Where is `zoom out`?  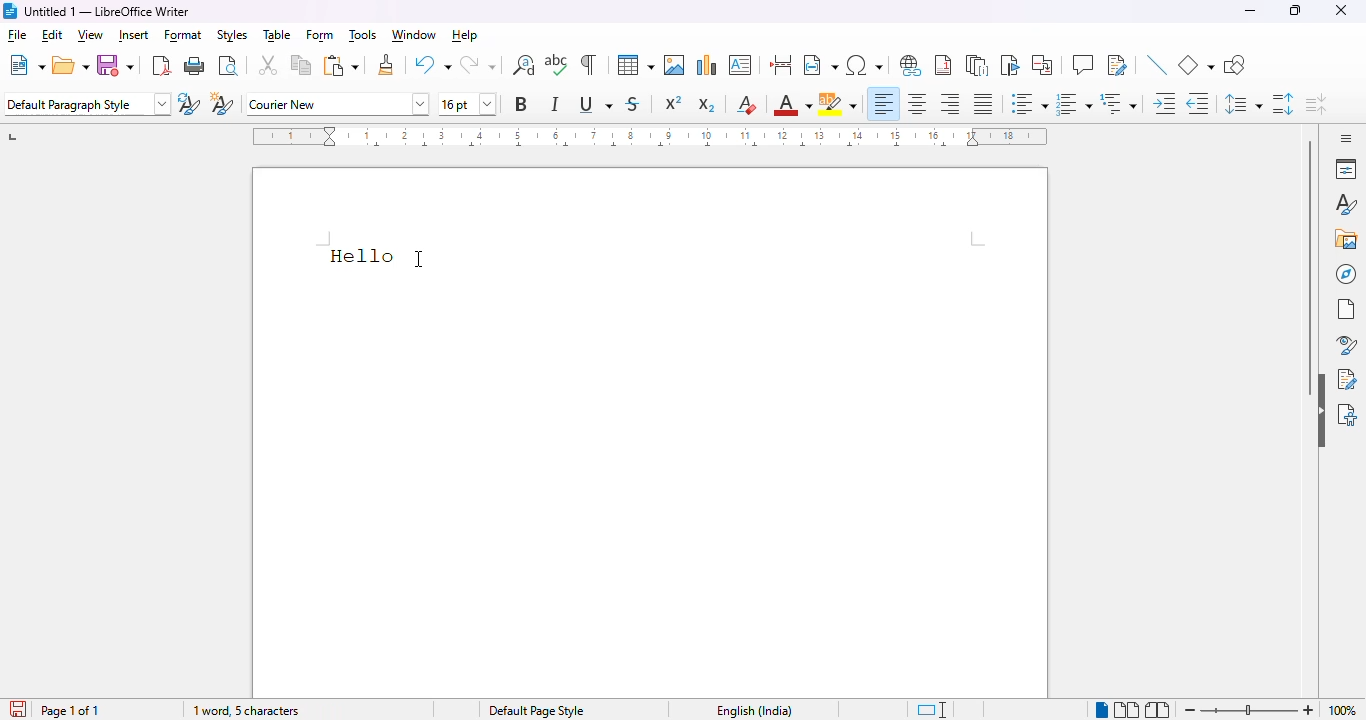
zoom out is located at coordinates (1188, 709).